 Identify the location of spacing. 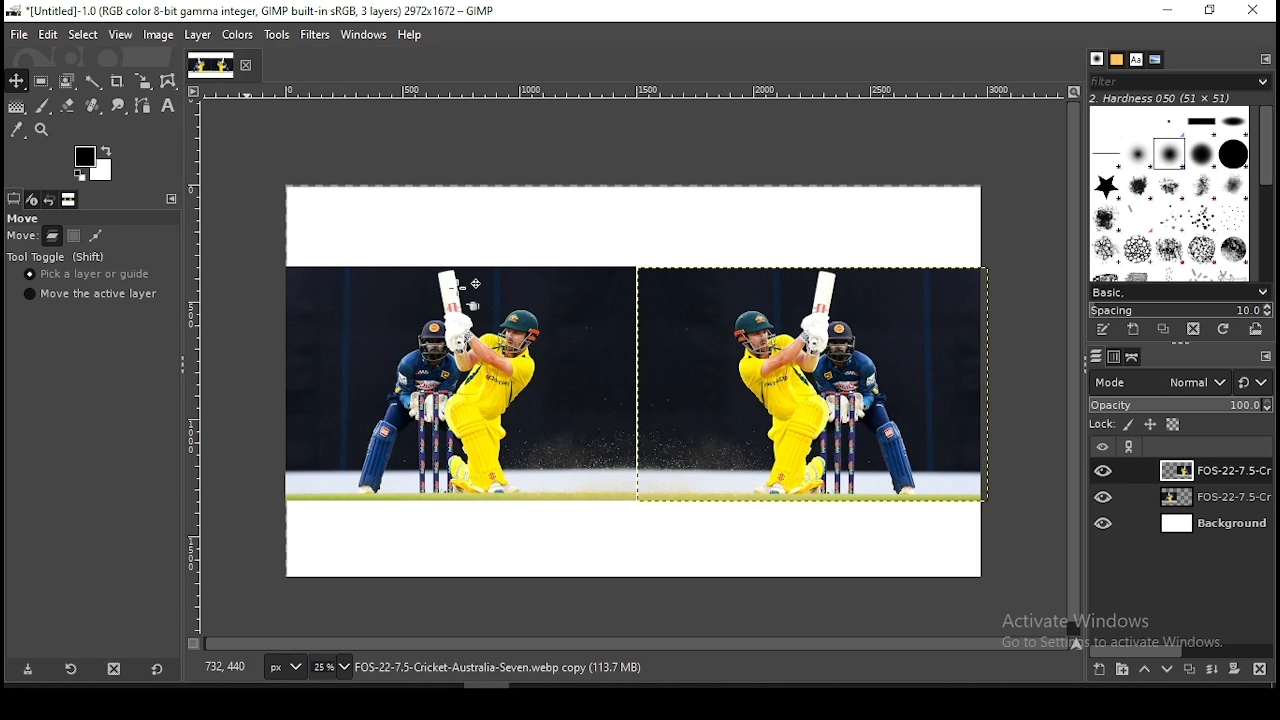
(1180, 309).